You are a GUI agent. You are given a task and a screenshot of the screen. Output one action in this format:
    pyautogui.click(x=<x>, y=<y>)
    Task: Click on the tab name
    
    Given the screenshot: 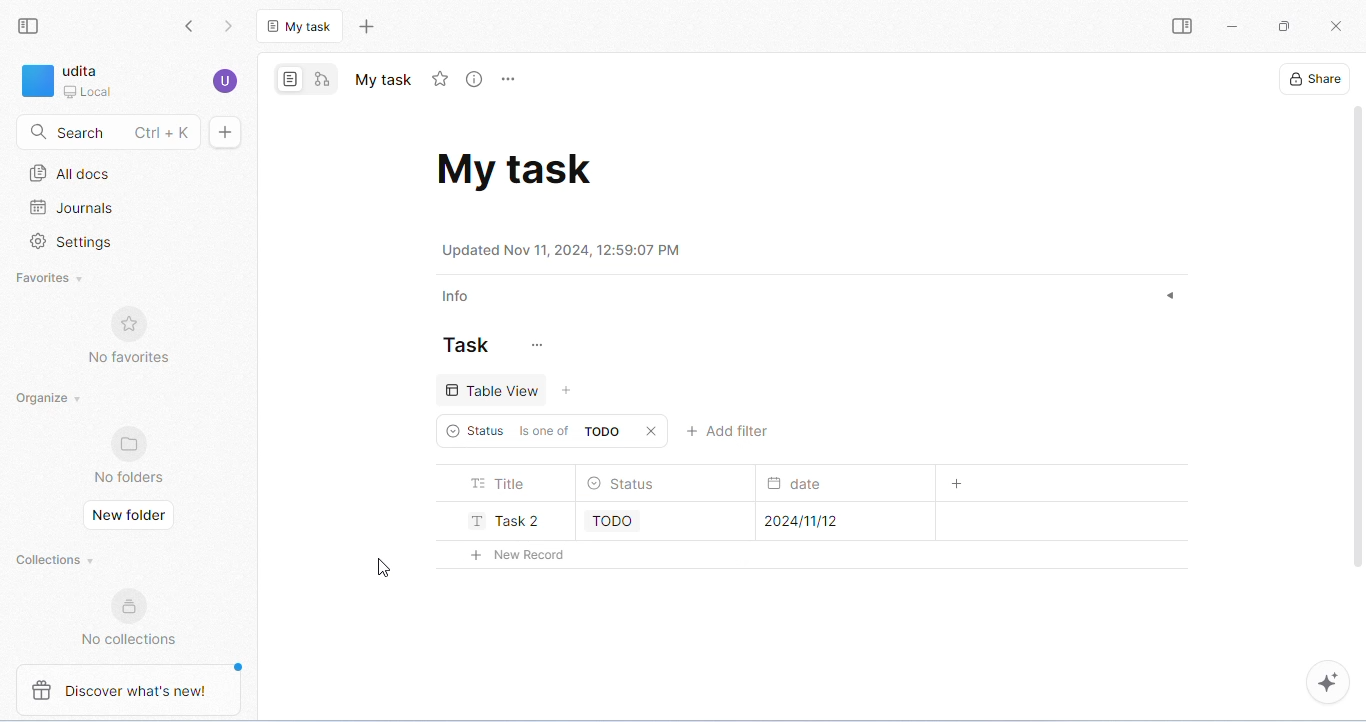 What is the action you would take?
    pyautogui.click(x=382, y=79)
    